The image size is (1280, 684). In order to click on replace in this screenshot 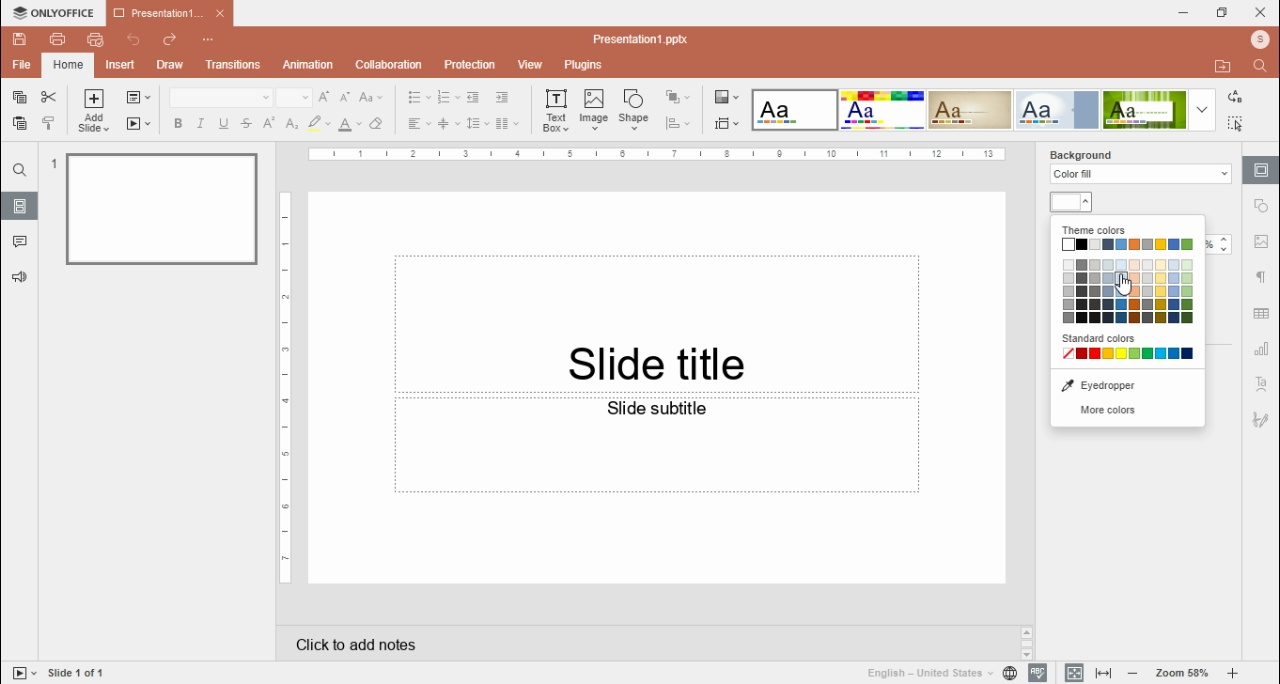, I will do `click(1236, 97)`.